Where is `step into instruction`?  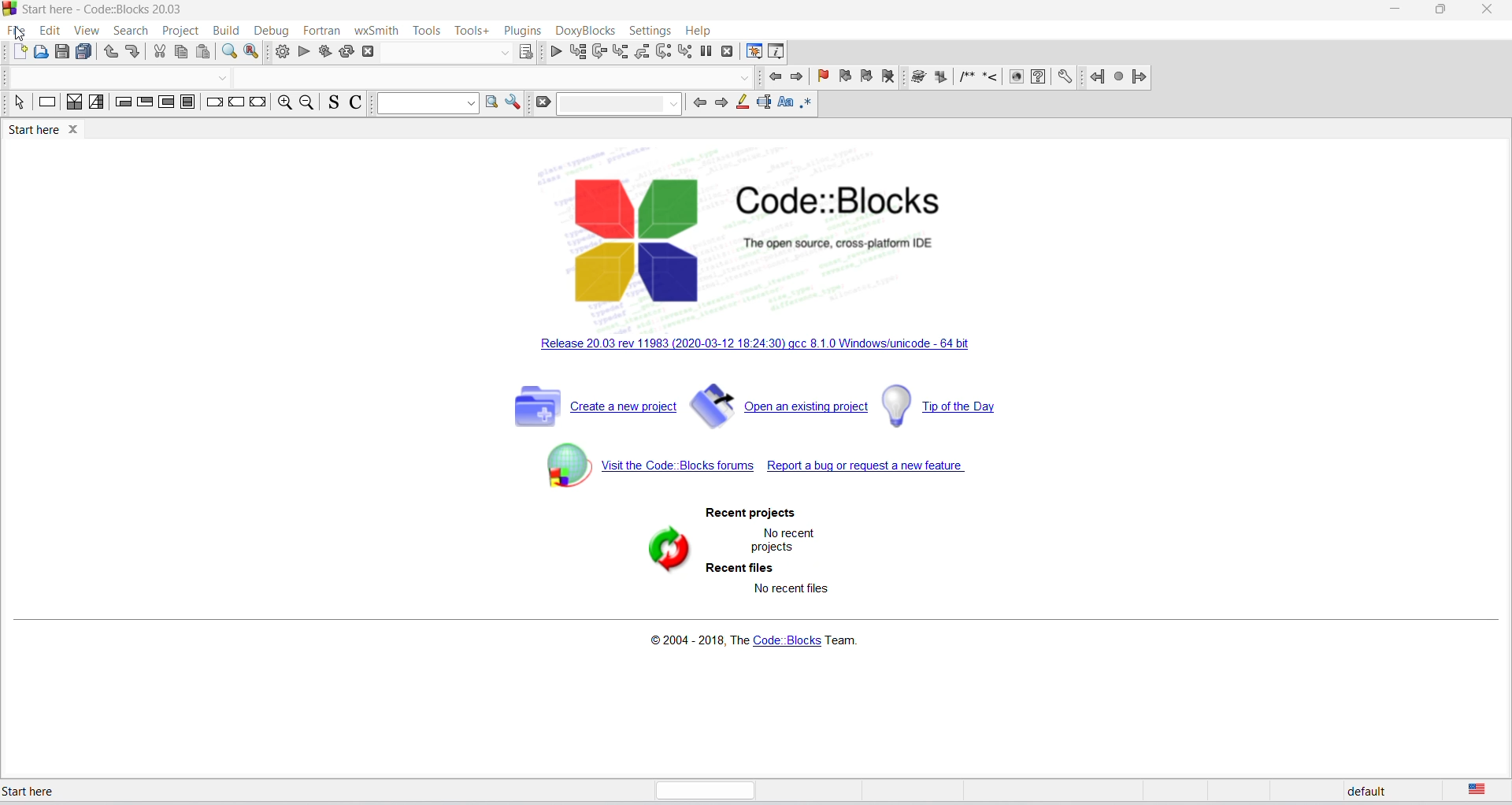
step into instruction is located at coordinates (684, 52).